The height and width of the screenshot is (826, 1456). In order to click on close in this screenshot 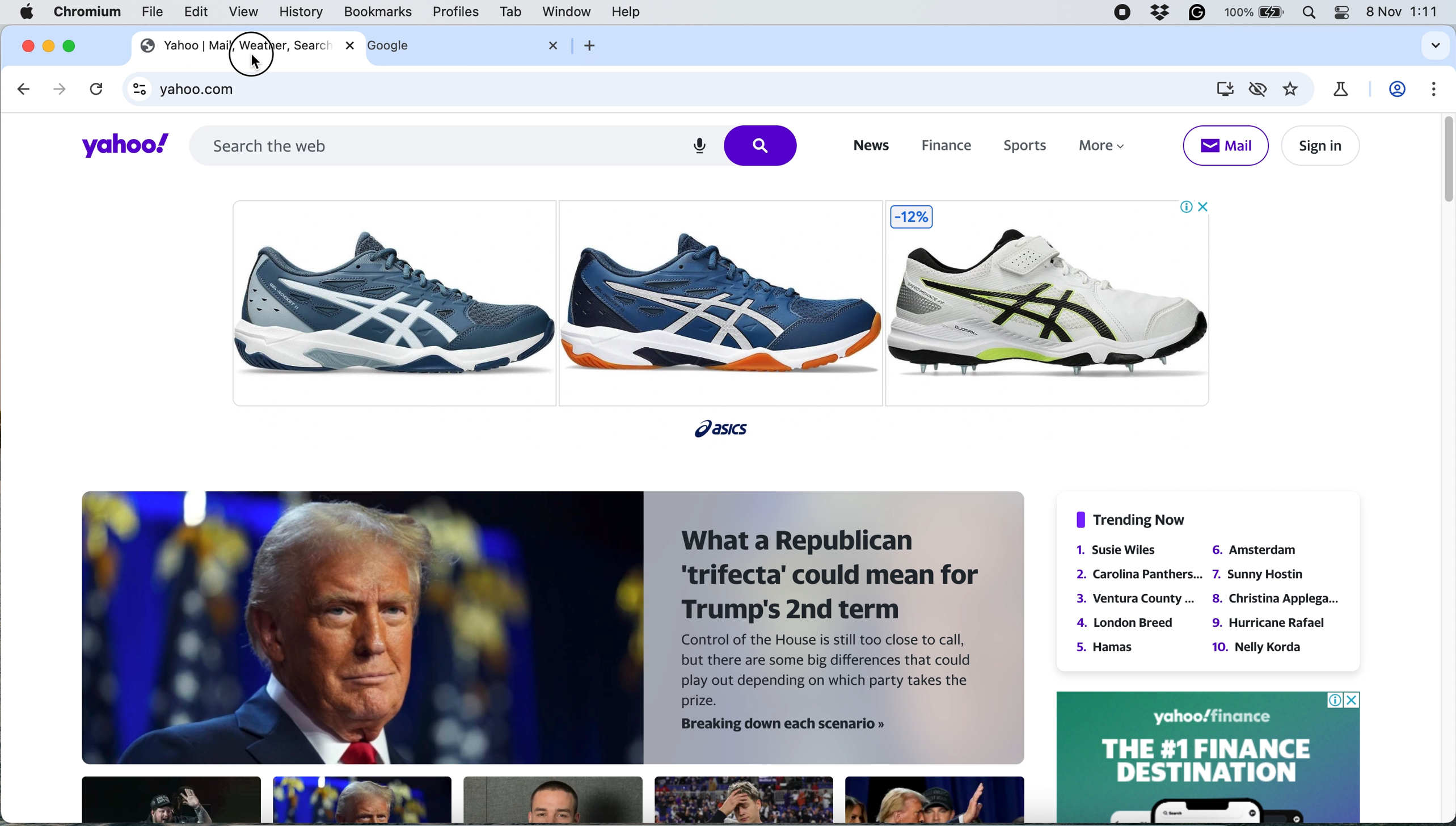, I will do `click(27, 44)`.